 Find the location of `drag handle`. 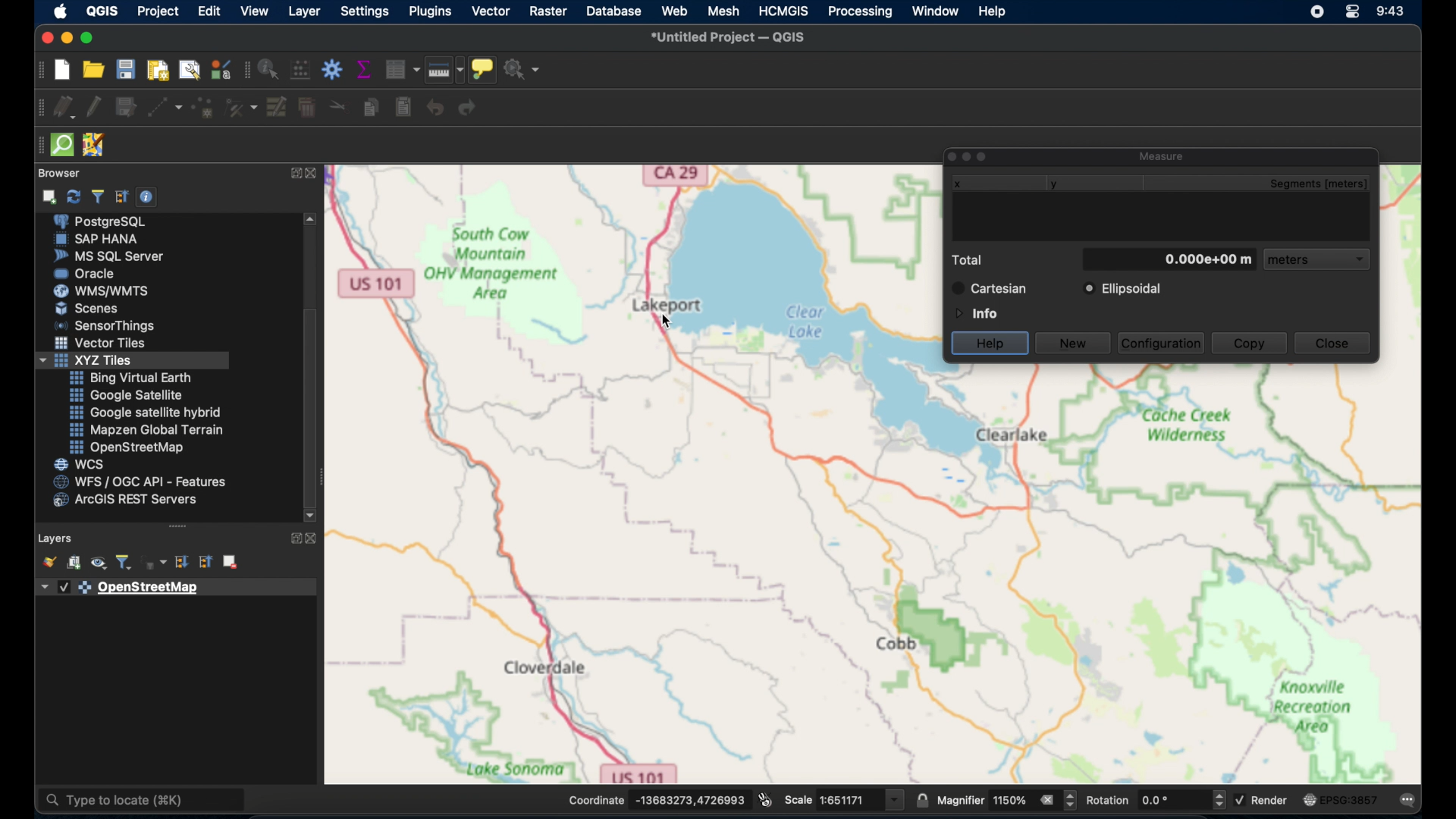

drag handle is located at coordinates (178, 526).